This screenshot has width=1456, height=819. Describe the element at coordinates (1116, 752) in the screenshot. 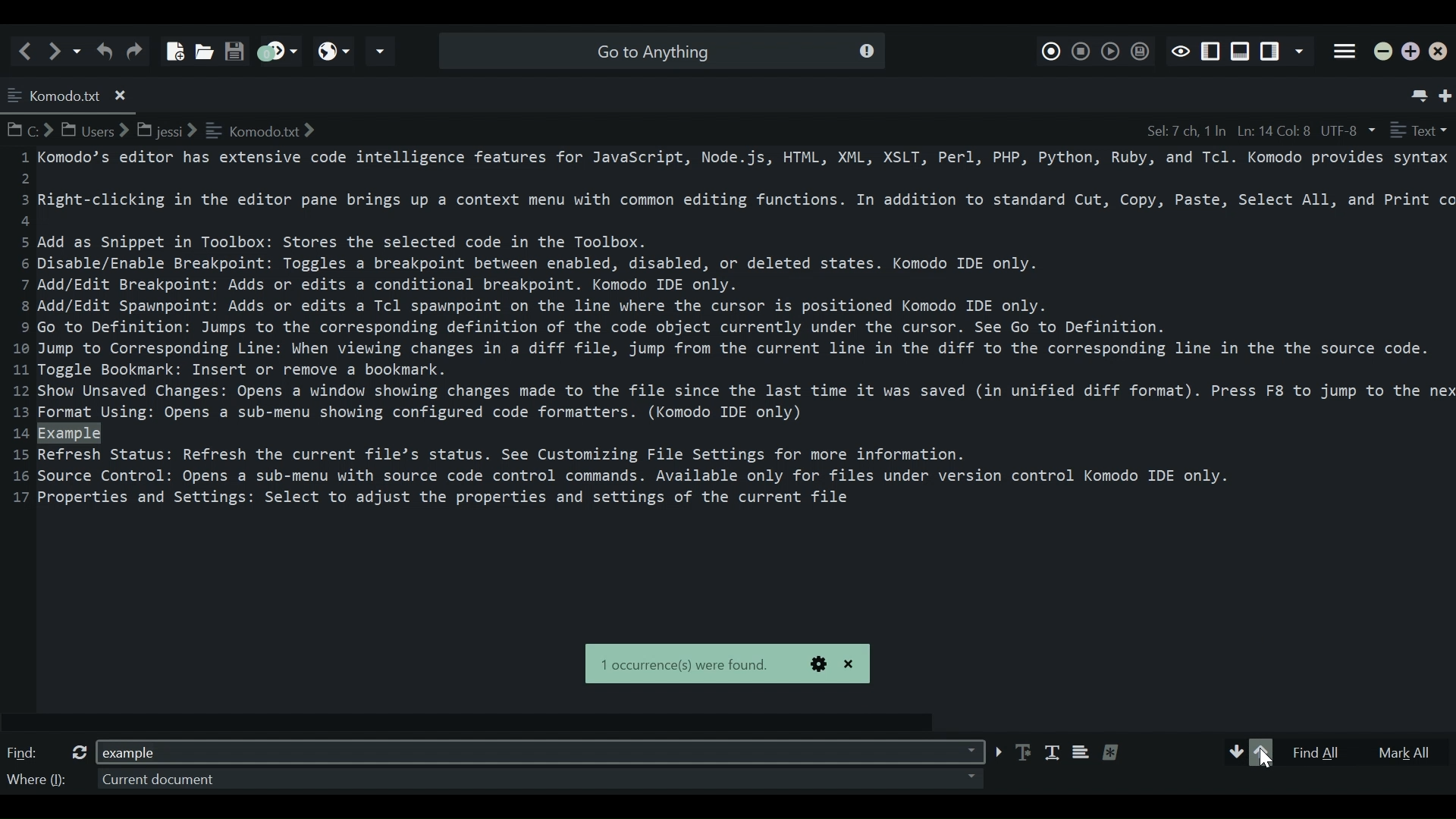

I see `Treat the pattern as a regular expression` at that location.